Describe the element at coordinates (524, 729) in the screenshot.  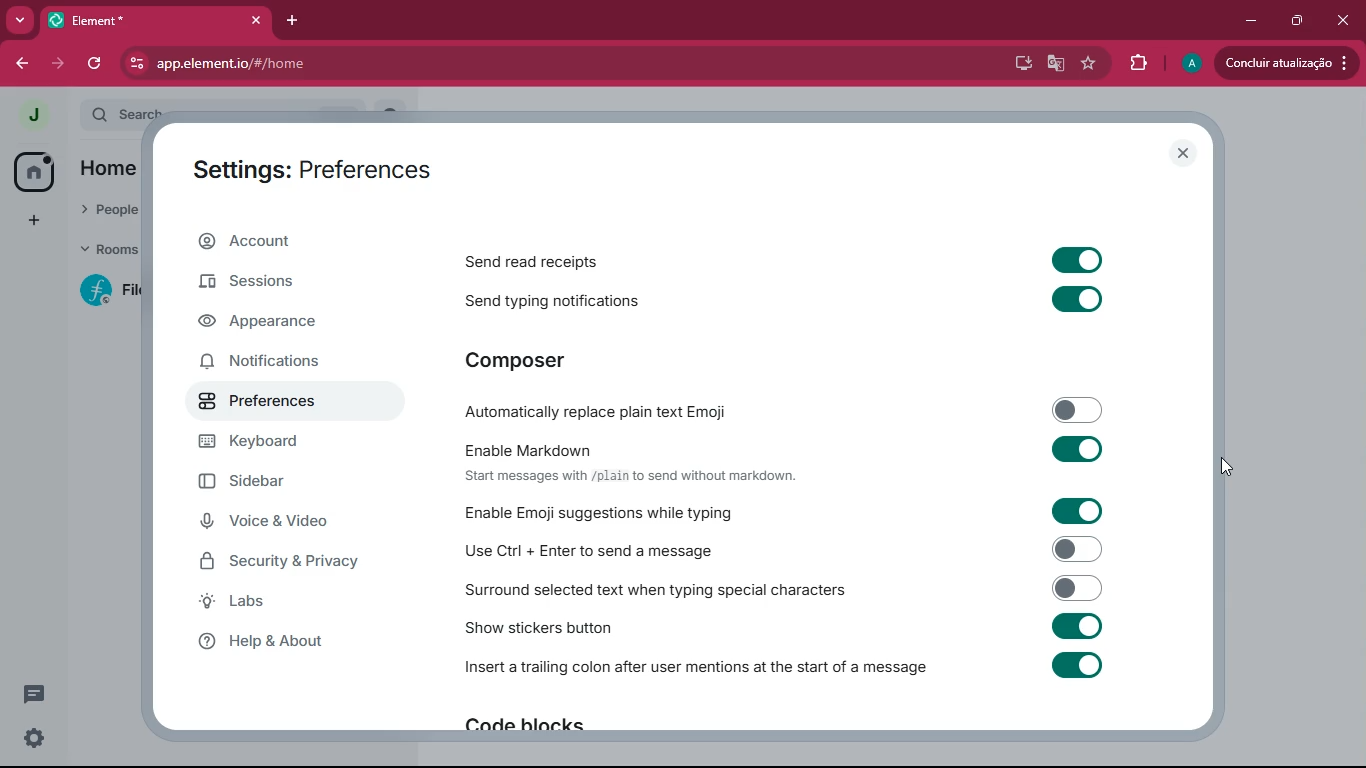
I see `Code blocks` at that location.